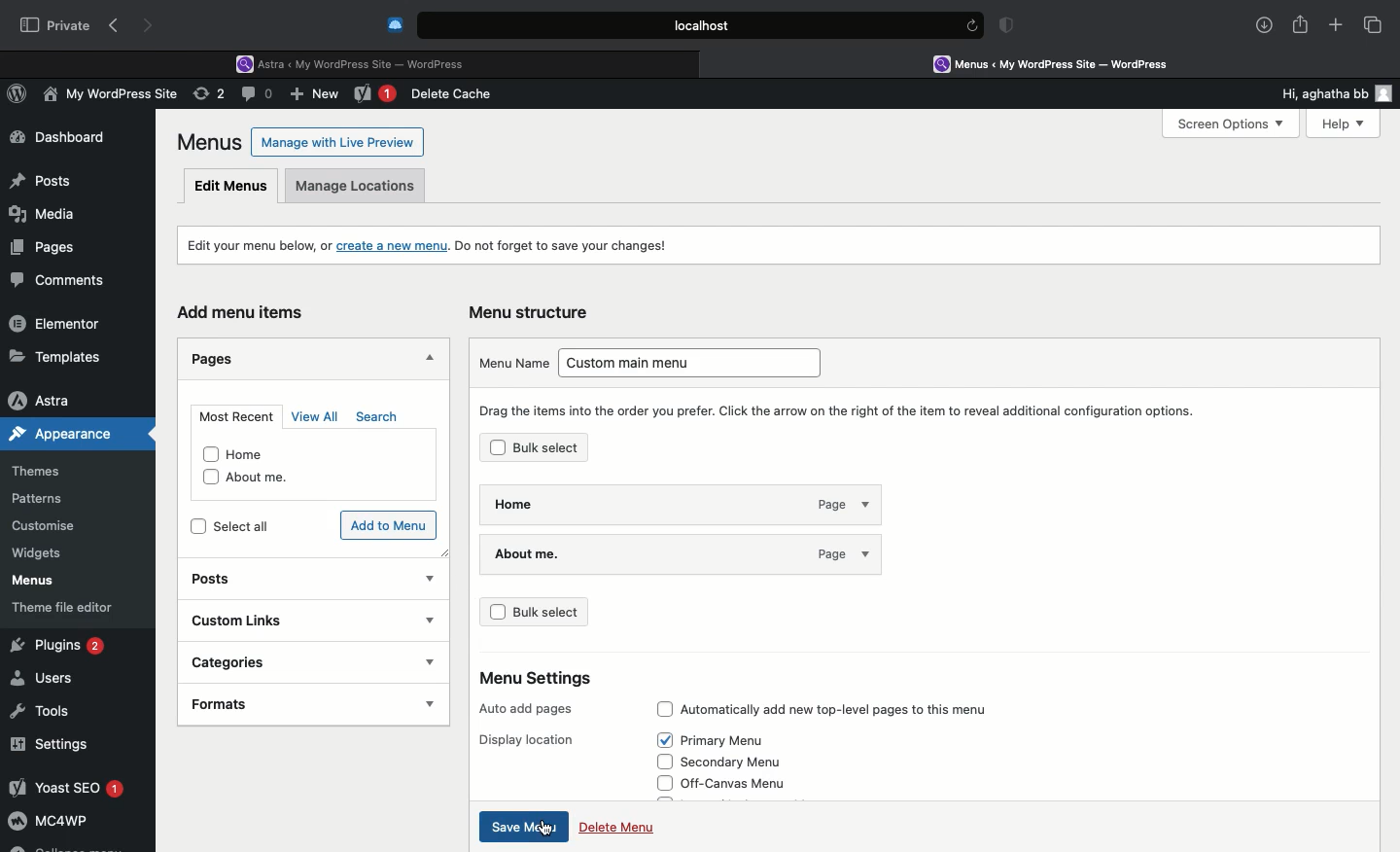 This screenshot has width=1400, height=852. I want to click on Local.host, so click(702, 24).